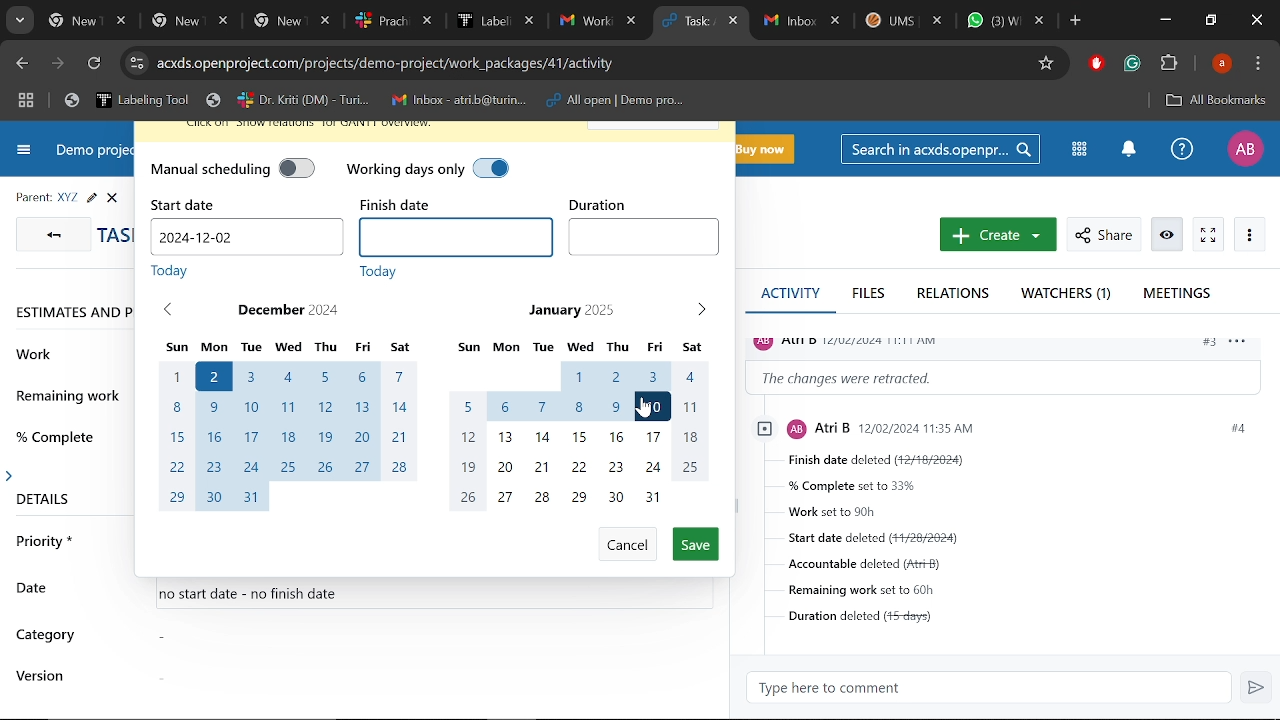 The image size is (1280, 720). Describe the element at coordinates (1260, 64) in the screenshot. I see `Control and customize chrome` at that location.